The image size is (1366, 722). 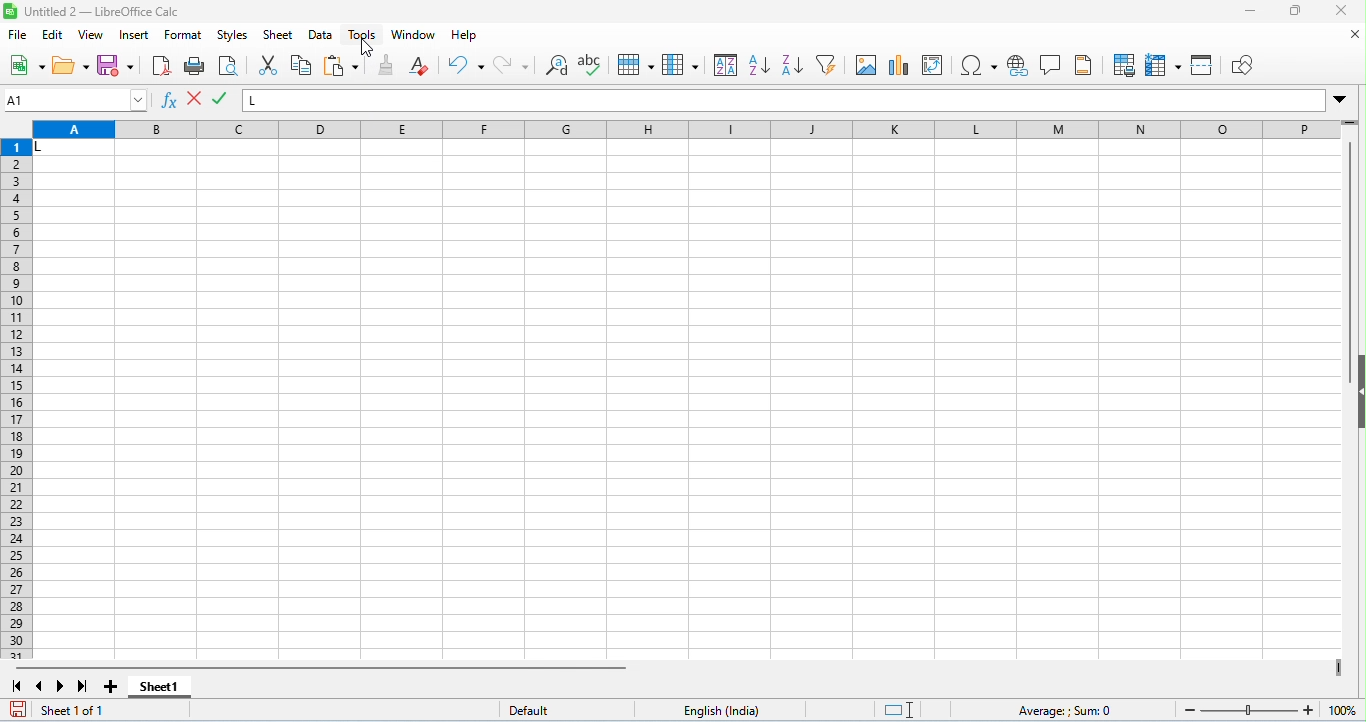 I want to click on cell with data, so click(x=74, y=147).